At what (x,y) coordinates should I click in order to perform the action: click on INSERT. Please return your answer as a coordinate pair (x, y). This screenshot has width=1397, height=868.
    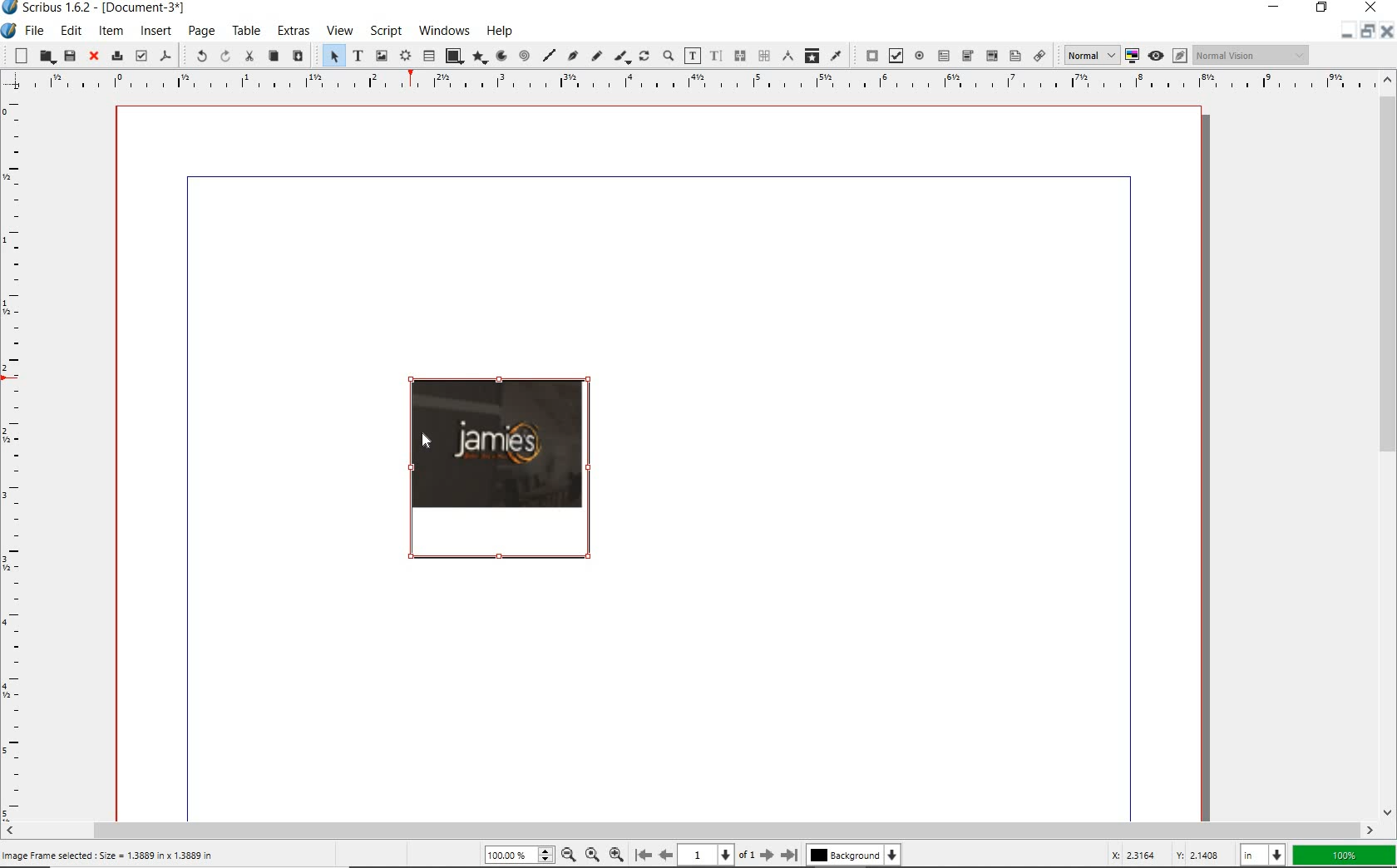
    Looking at the image, I should click on (156, 32).